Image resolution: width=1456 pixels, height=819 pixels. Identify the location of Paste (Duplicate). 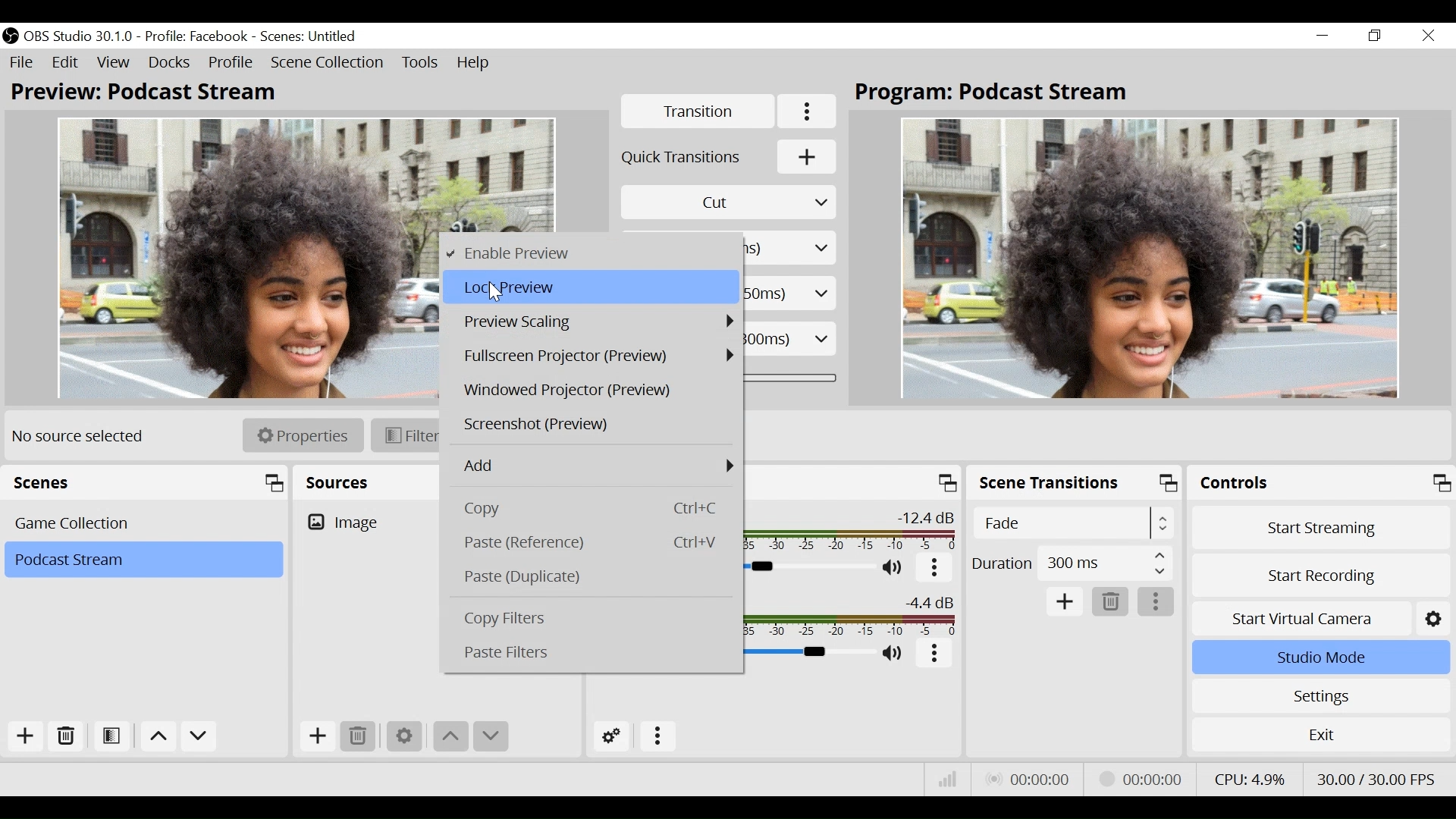
(595, 577).